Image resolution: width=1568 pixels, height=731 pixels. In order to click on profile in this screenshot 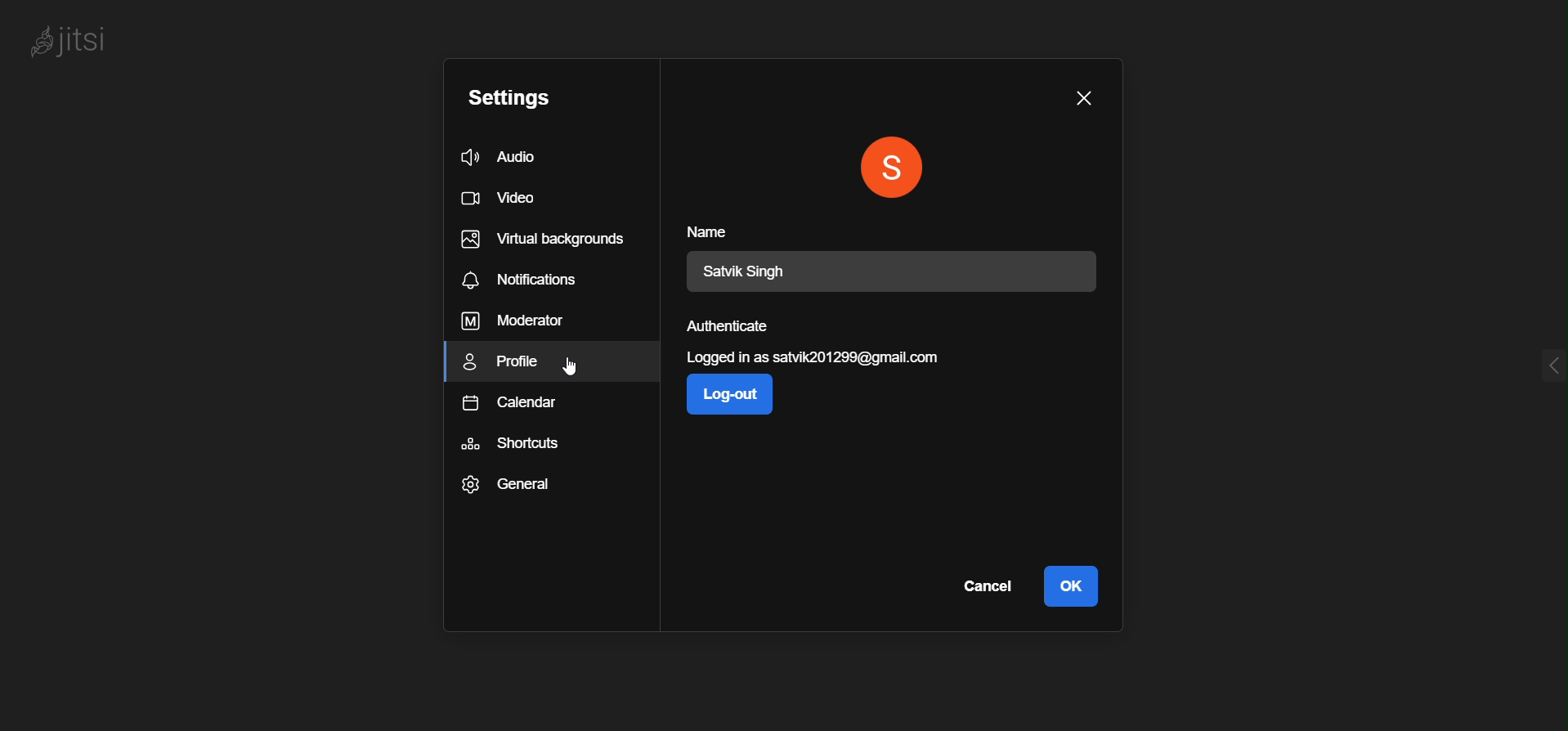, I will do `click(509, 364)`.